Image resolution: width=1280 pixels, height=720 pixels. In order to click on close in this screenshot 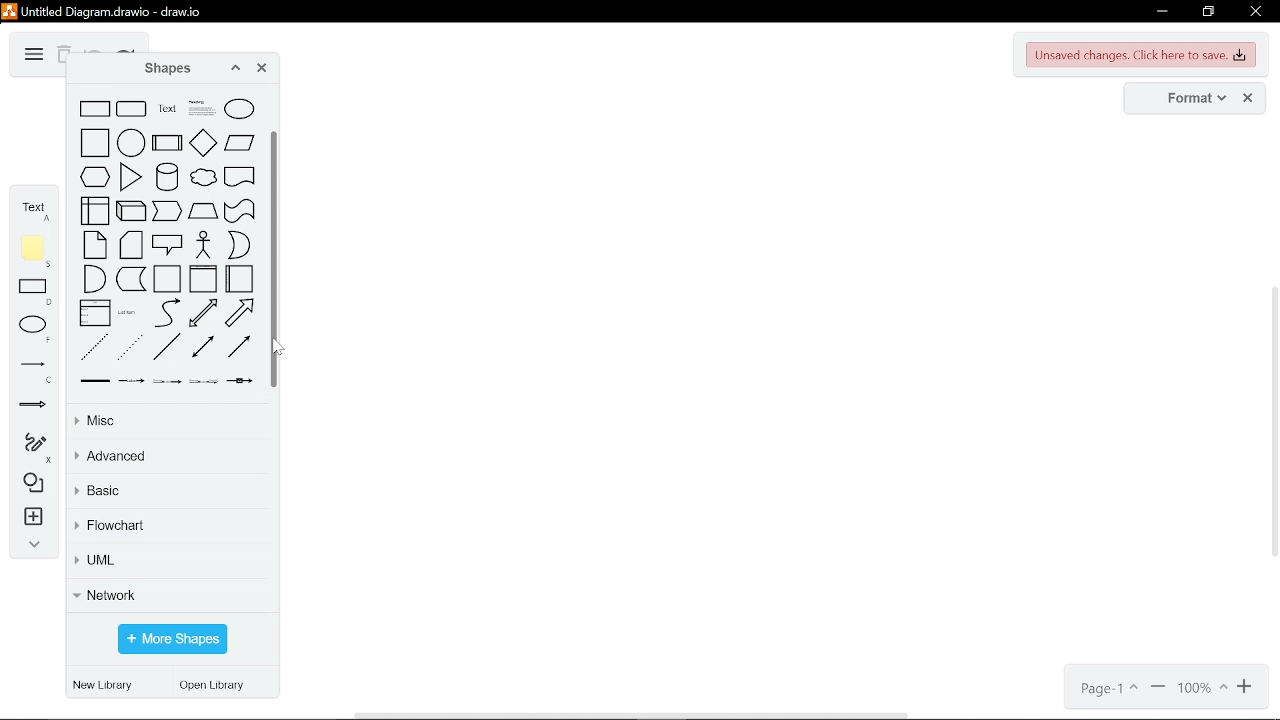, I will do `click(262, 70)`.